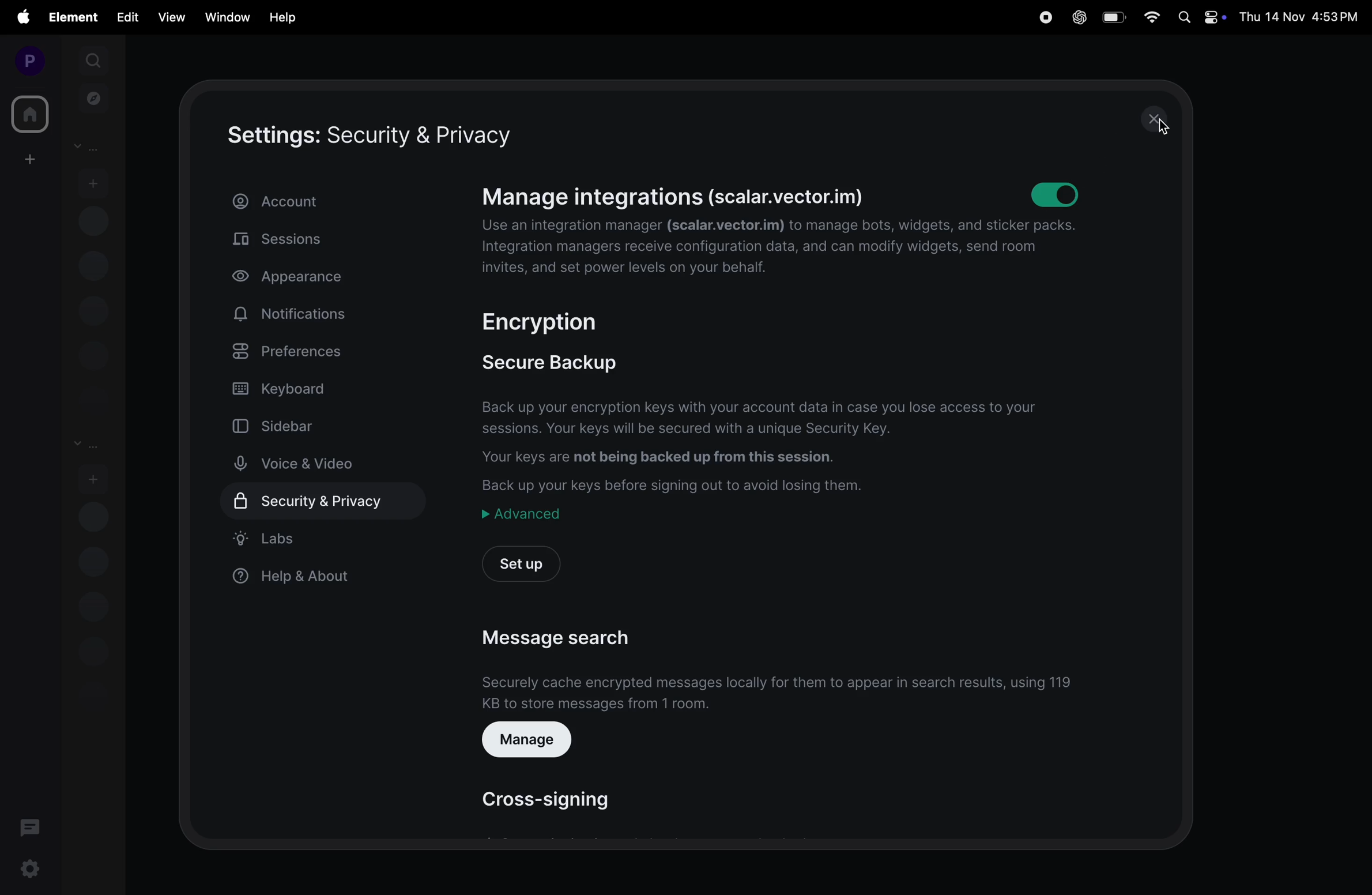 Image resolution: width=1372 pixels, height=895 pixels. I want to click on scroll bar, so click(1178, 285).